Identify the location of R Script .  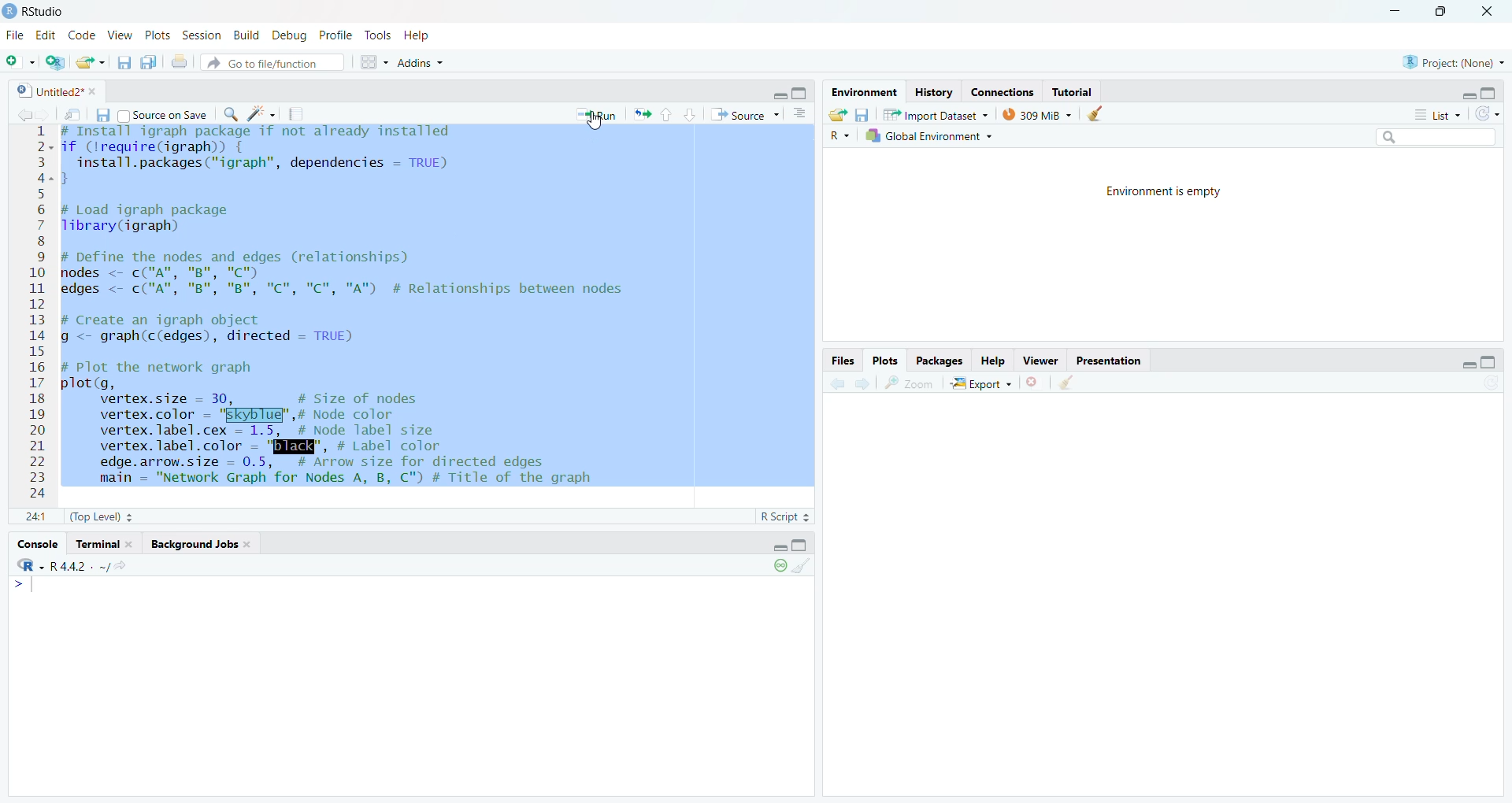
(775, 516).